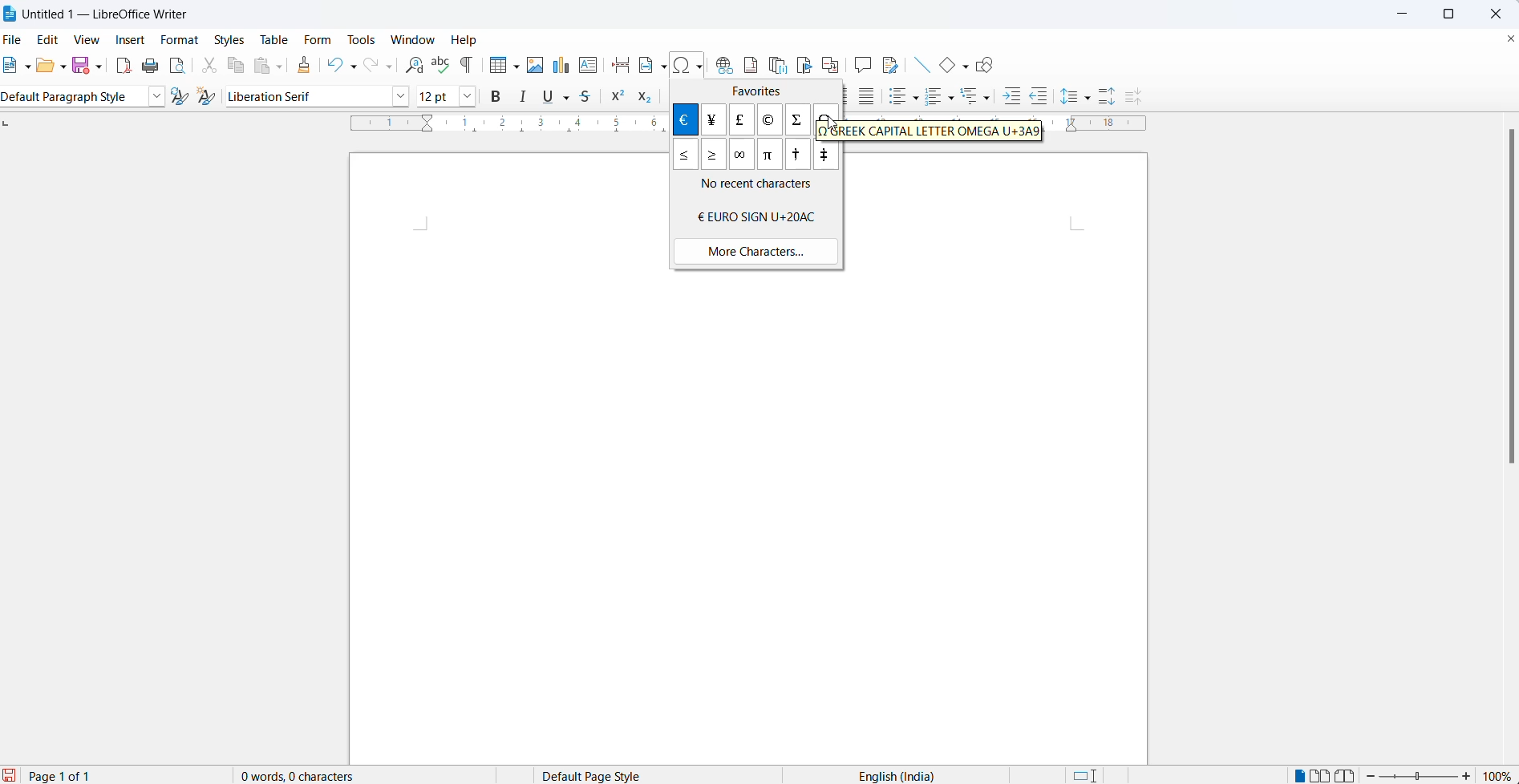  Describe the element at coordinates (64, 774) in the screenshot. I see `current page` at that location.